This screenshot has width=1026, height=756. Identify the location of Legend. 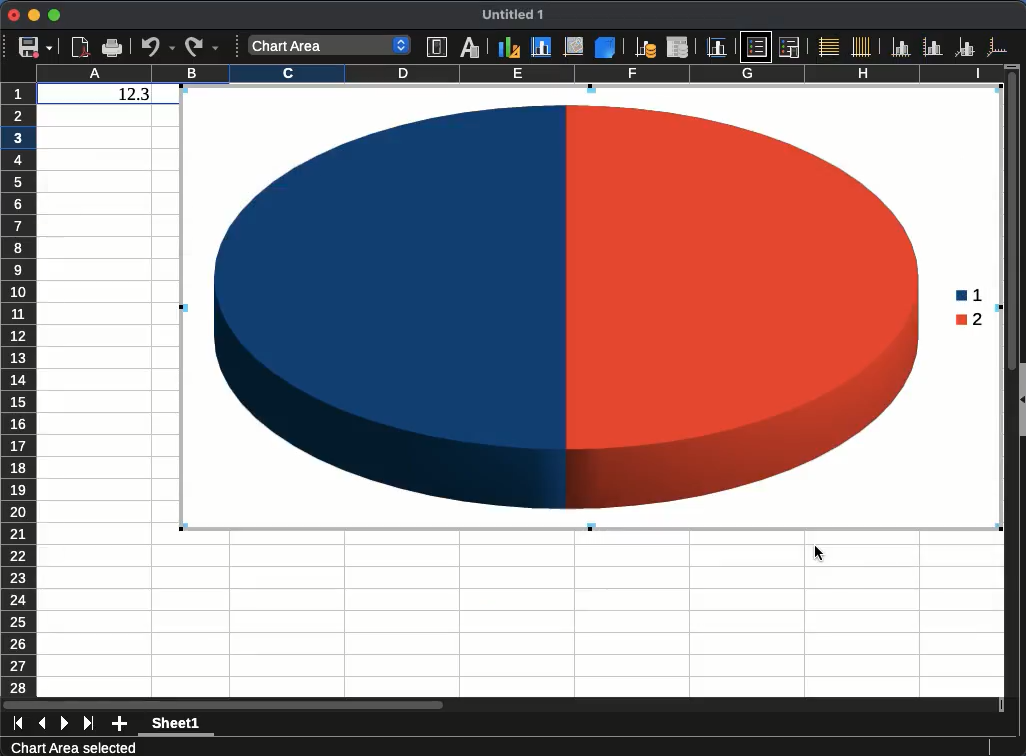
(789, 47).